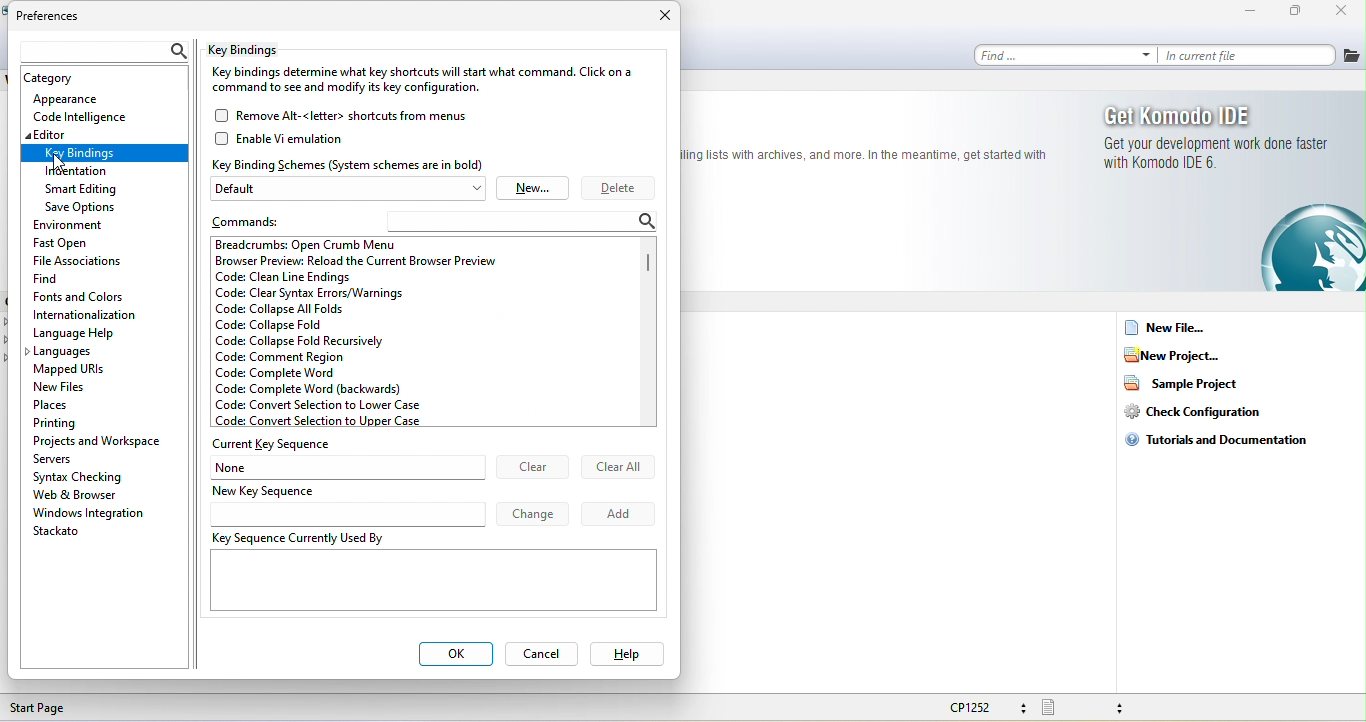 The height and width of the screenshot is (722, 1366). I want to click on projects and workspace, so click(98, 439).